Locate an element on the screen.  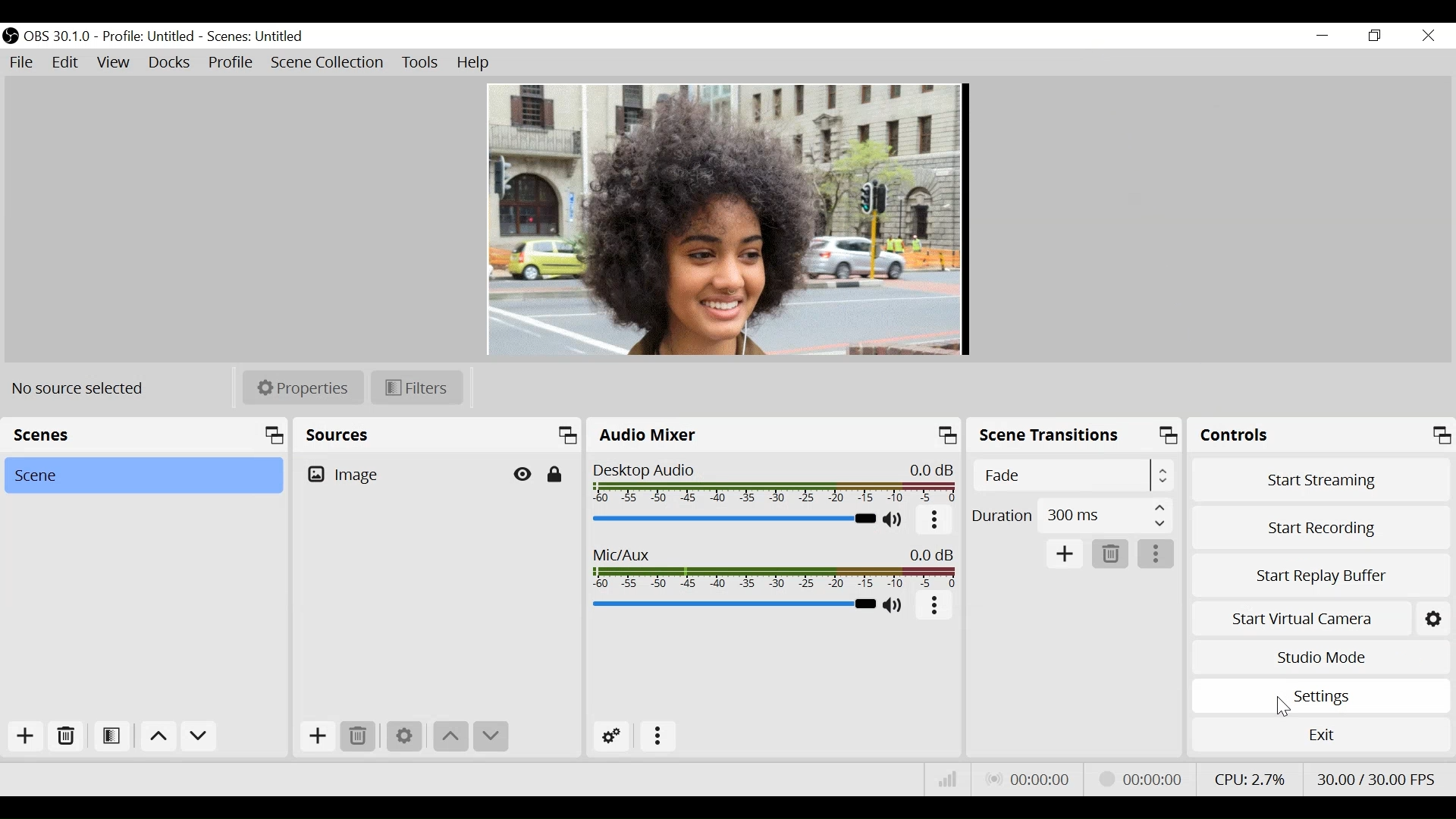
Fade is located at coordinates (1072, 475).